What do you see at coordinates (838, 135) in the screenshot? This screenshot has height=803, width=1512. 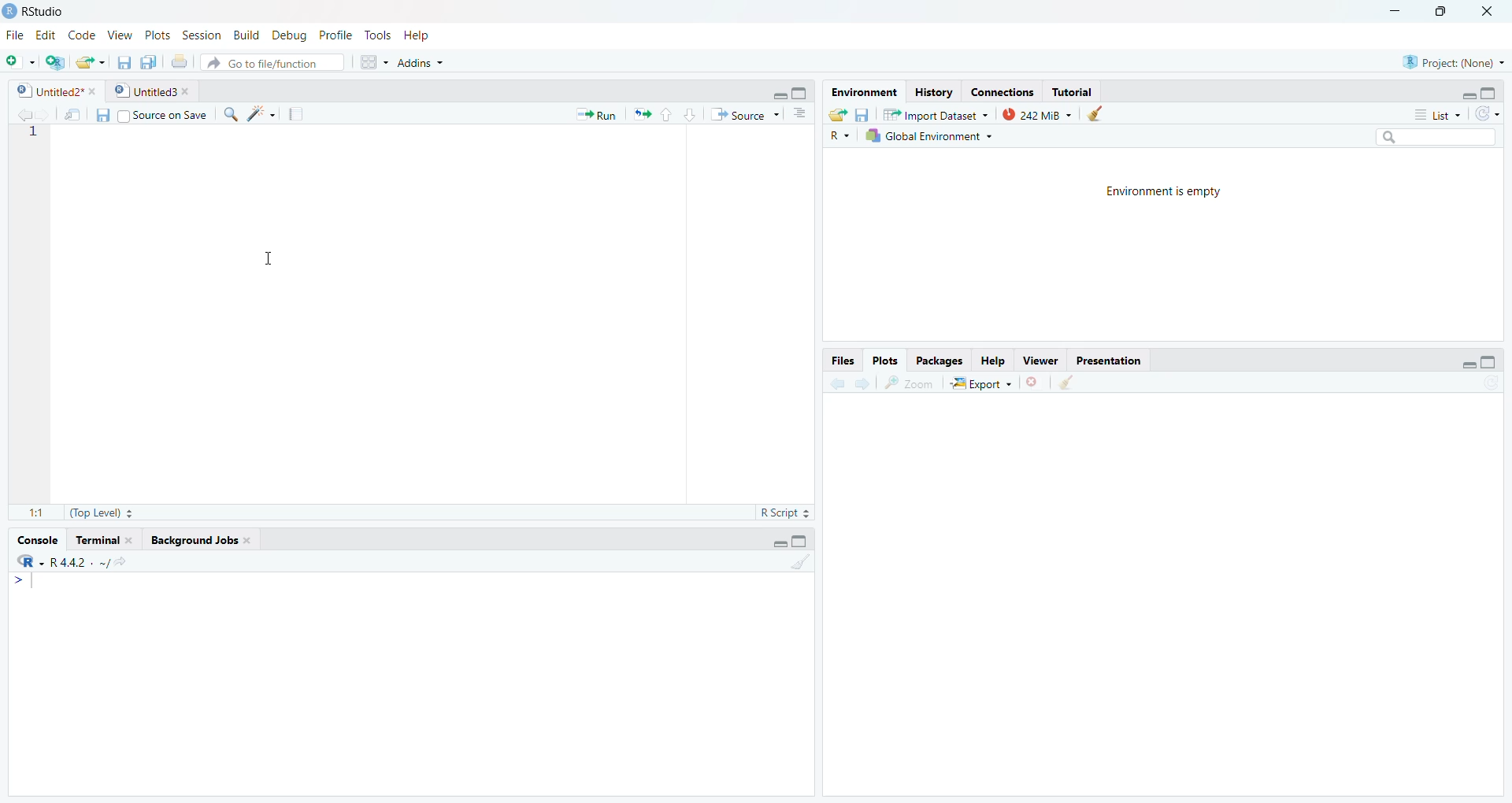 I see `R` at bounding box center [838, 135].